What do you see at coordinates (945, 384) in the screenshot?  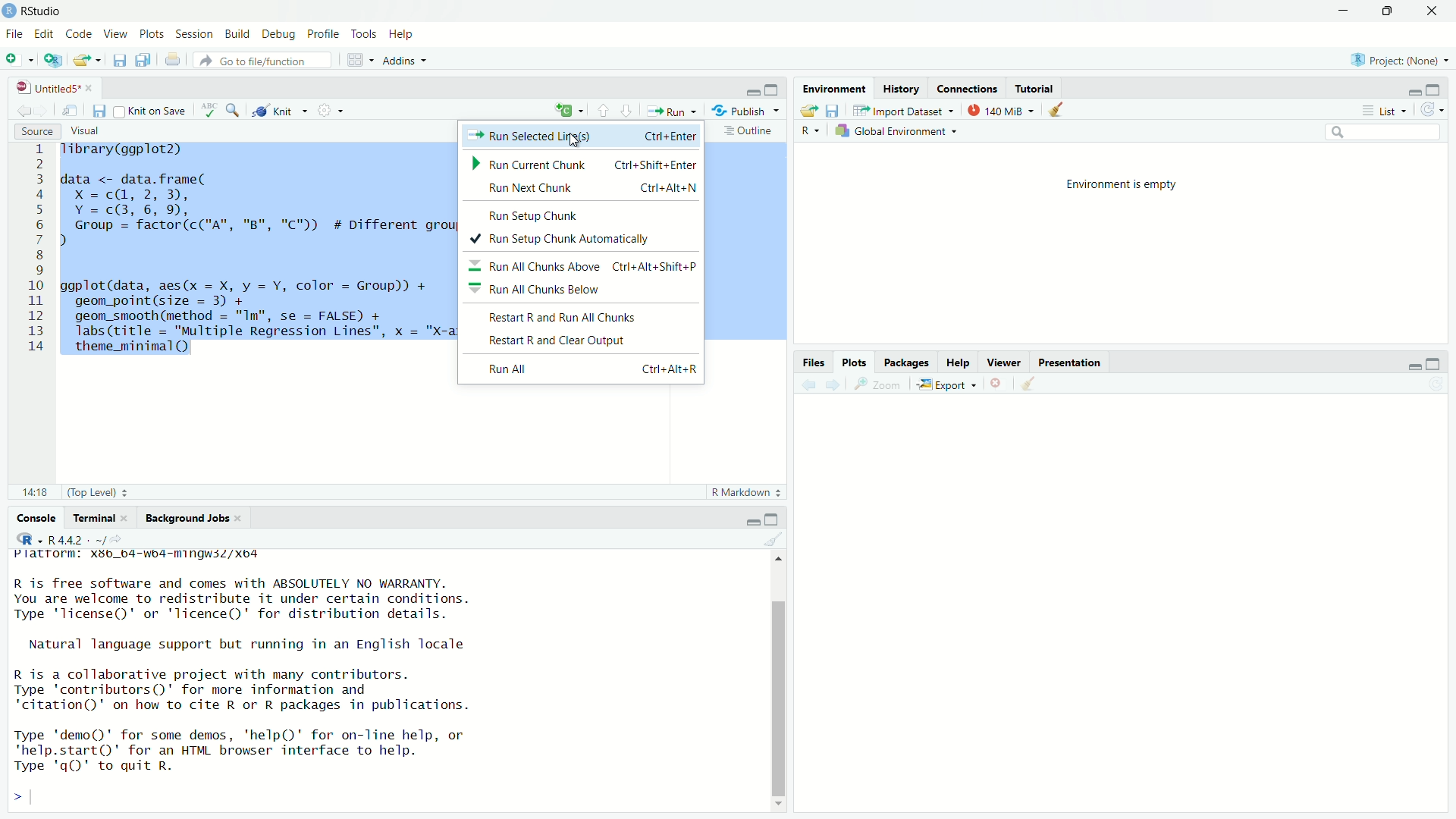 I see `Export «` at bounding box center [945, 384].